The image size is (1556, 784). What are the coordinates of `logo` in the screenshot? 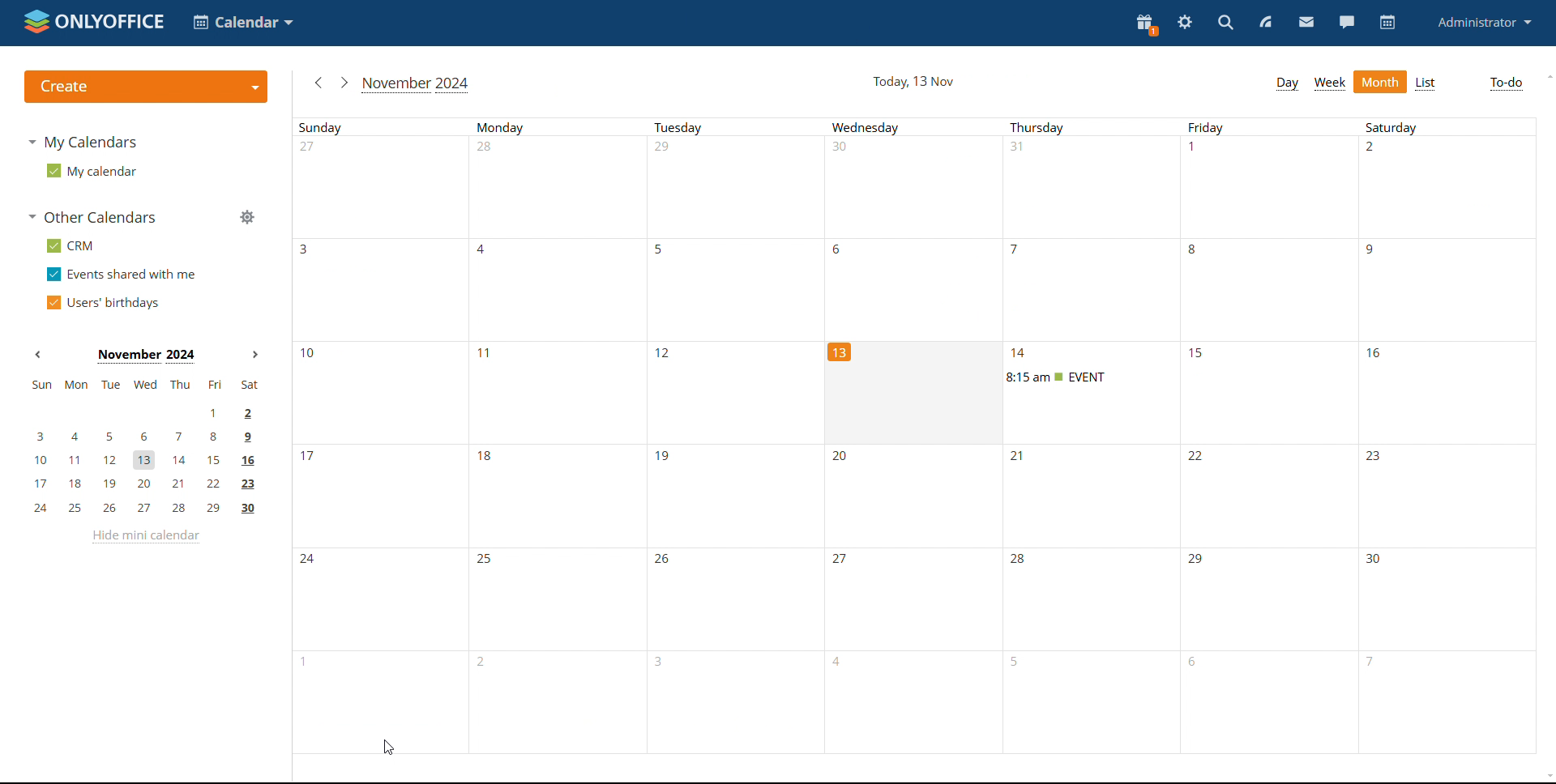 It's located at (94, 23).